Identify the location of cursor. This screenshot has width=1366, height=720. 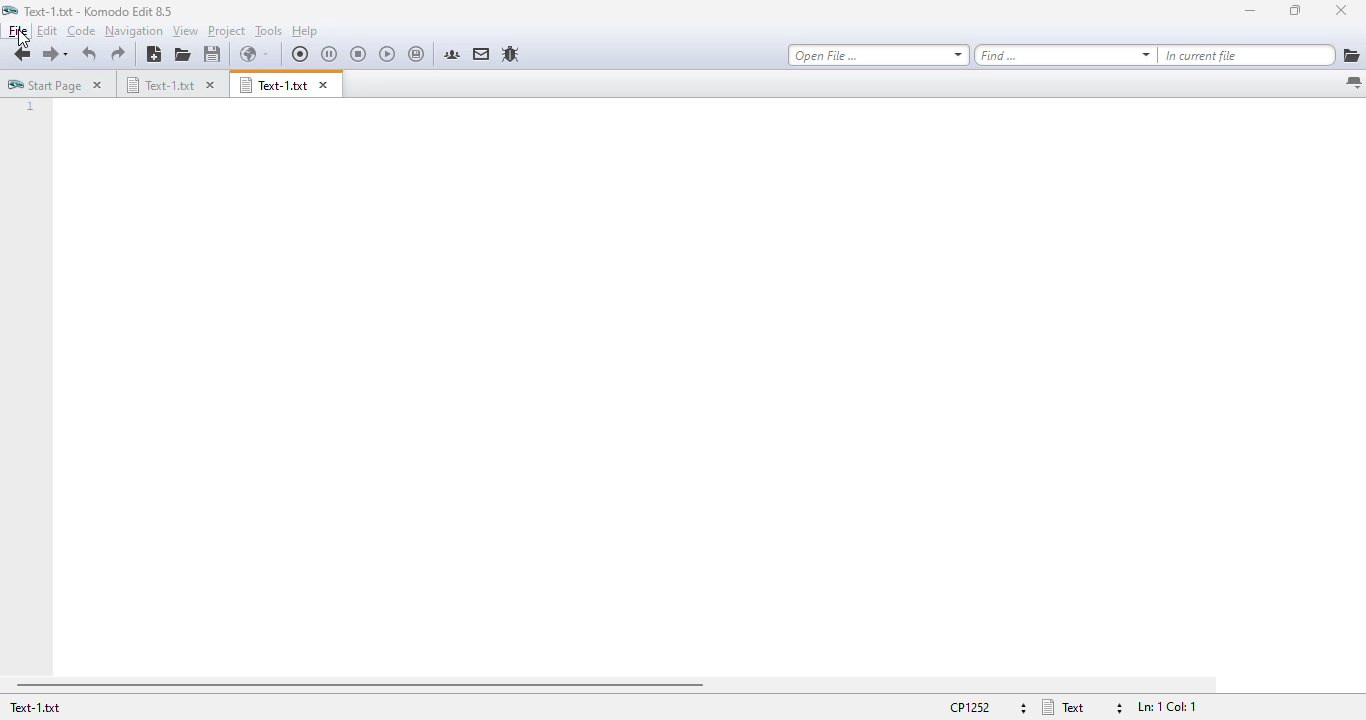
(22, 40).